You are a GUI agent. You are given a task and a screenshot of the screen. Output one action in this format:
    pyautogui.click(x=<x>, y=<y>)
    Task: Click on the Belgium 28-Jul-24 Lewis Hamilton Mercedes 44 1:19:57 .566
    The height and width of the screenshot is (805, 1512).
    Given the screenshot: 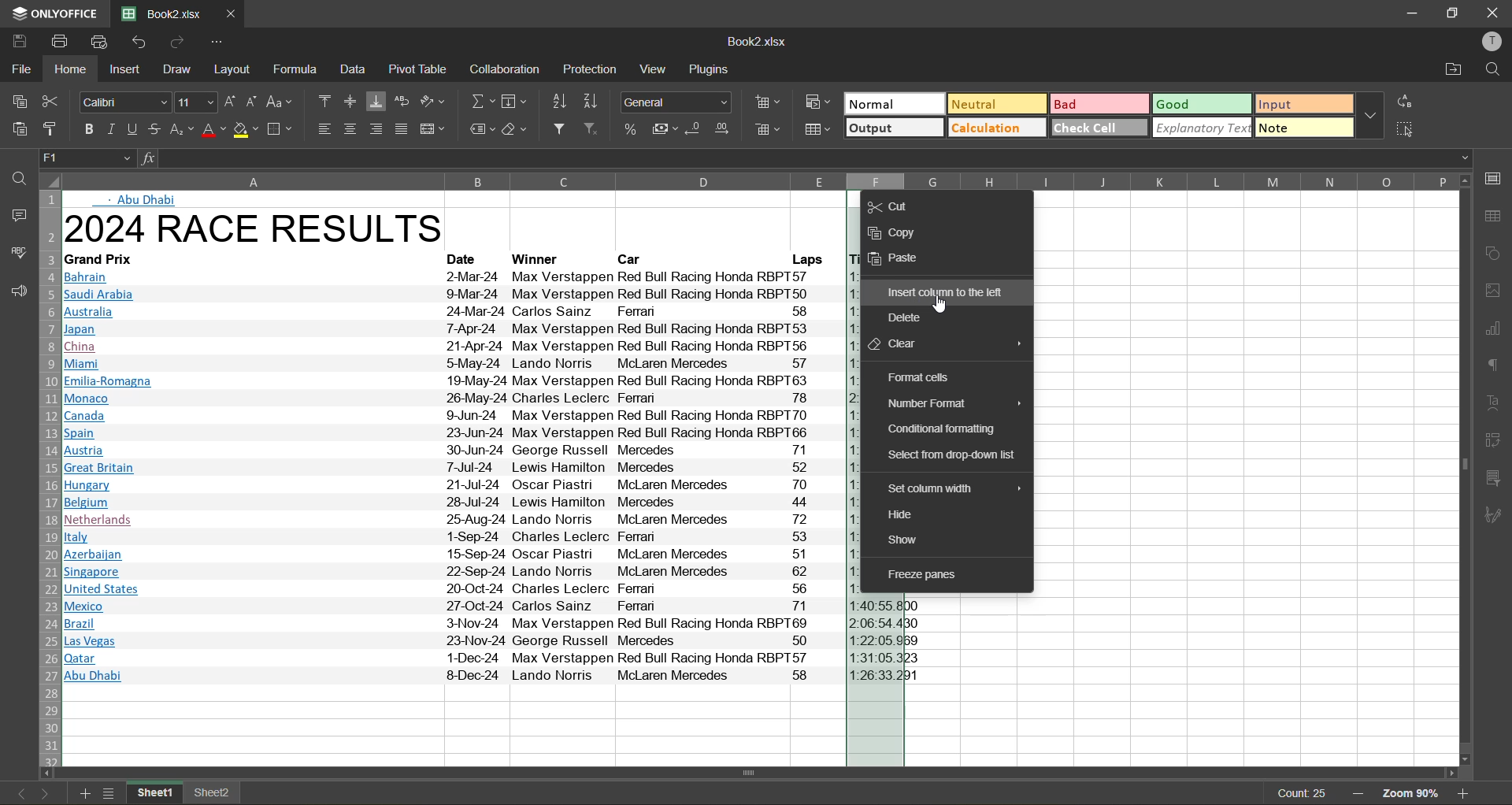 What is the action you would take?
    pyautogui.click(x=450, y=503)
    